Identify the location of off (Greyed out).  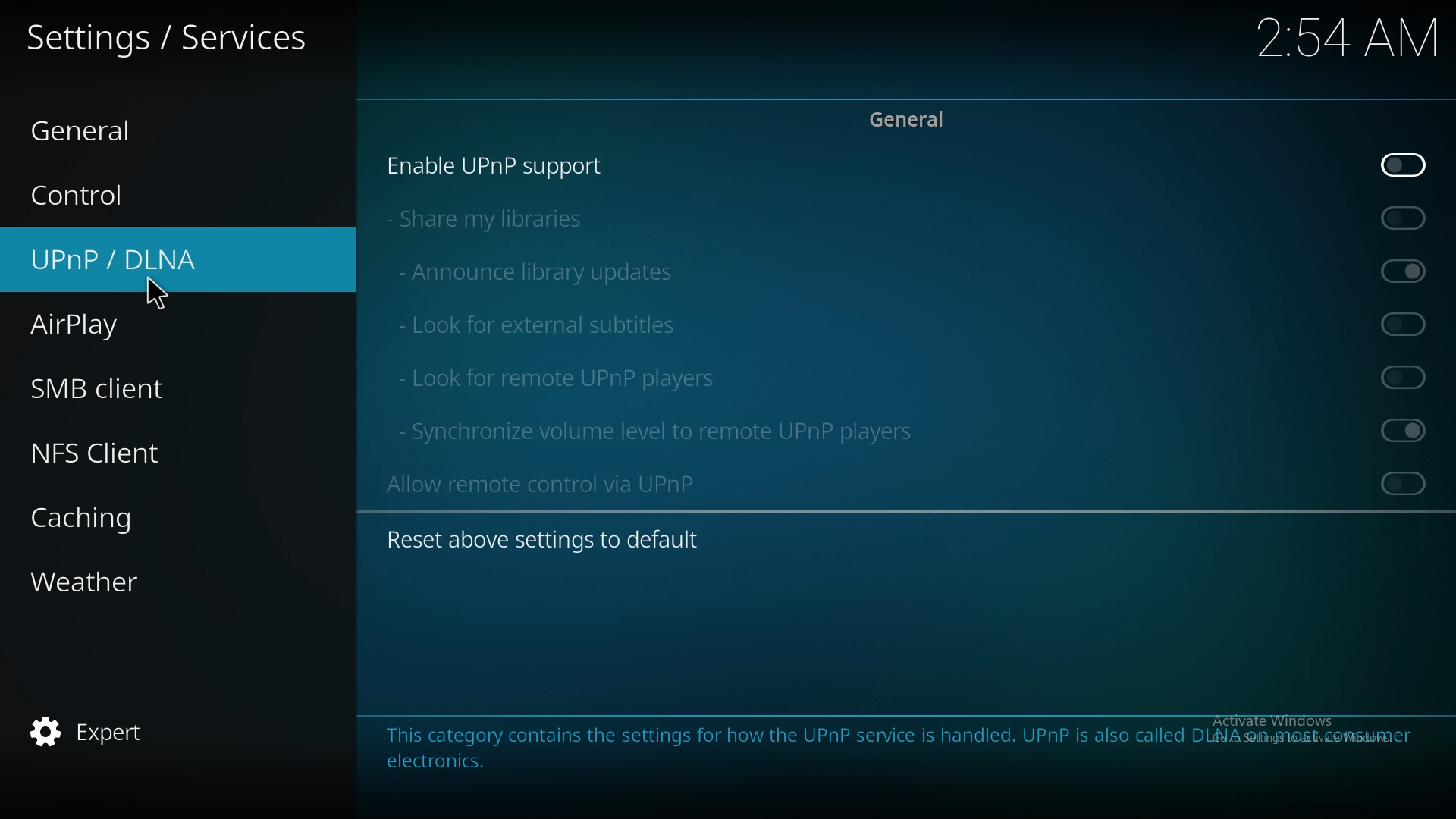
(1408, 377).